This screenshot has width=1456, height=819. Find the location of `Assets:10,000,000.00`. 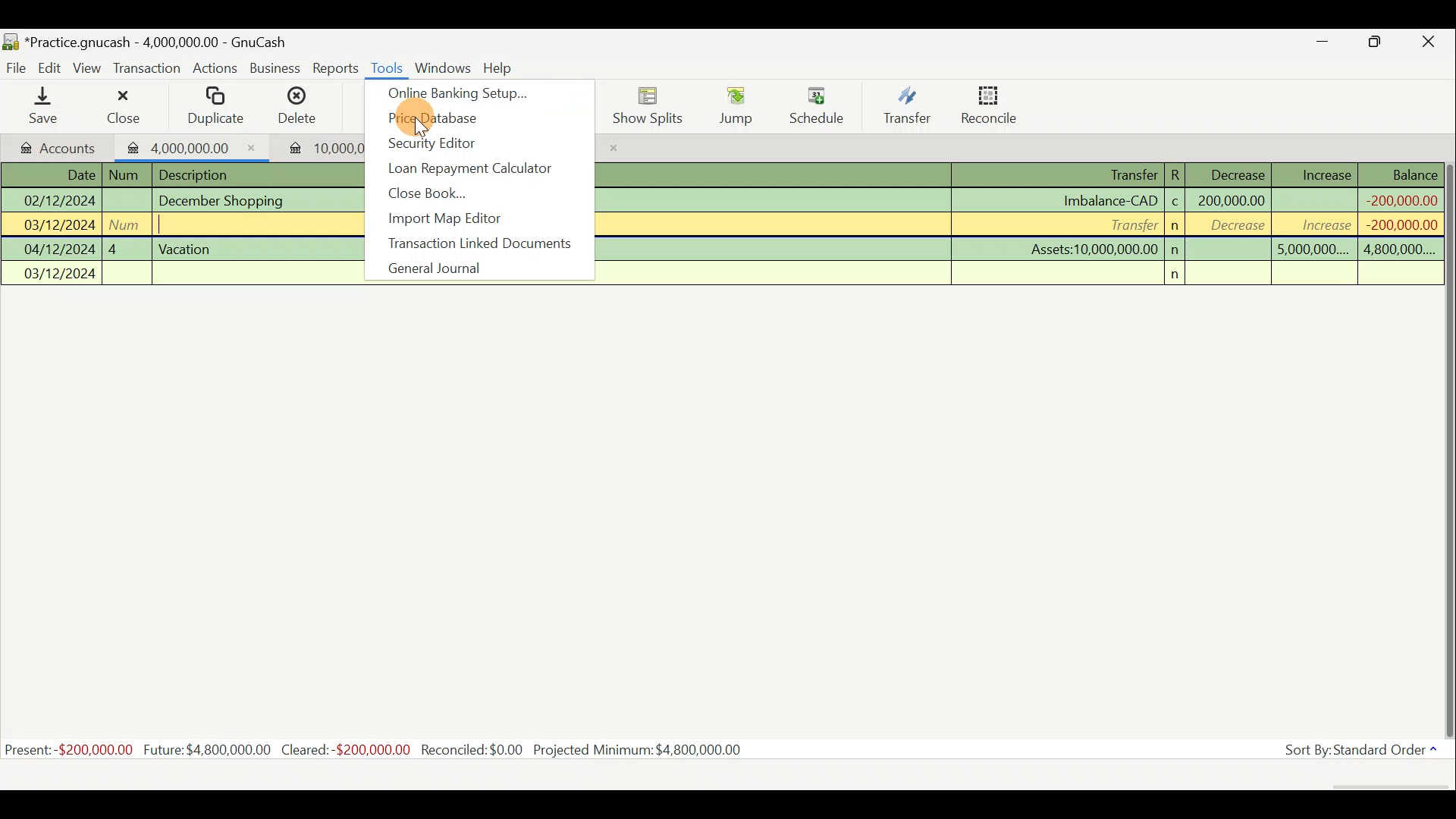

Assets:10,000,000.00 is located at coordinates (1095, 247).